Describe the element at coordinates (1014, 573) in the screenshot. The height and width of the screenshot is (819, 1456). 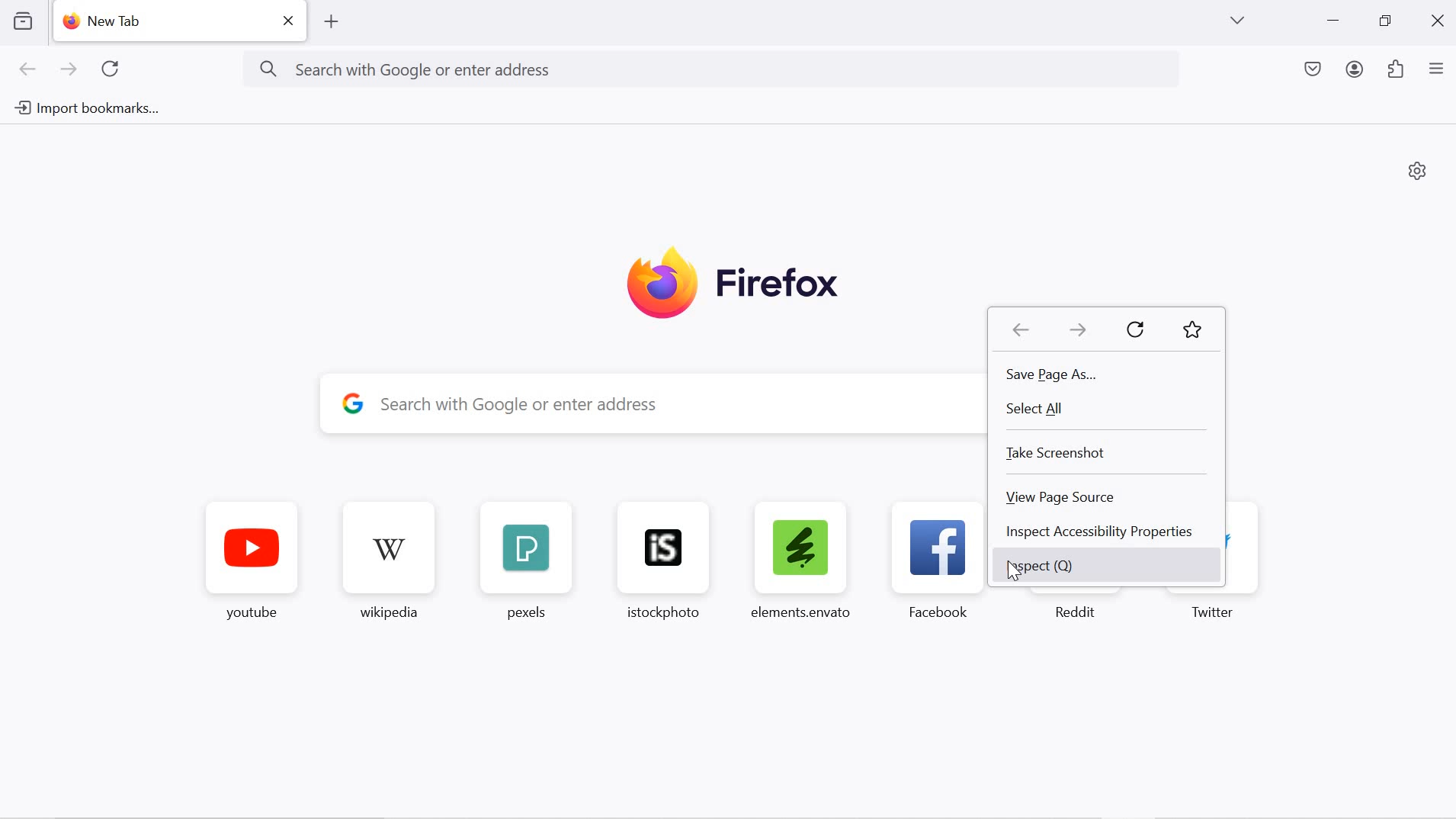
I see `cursor` at that location.